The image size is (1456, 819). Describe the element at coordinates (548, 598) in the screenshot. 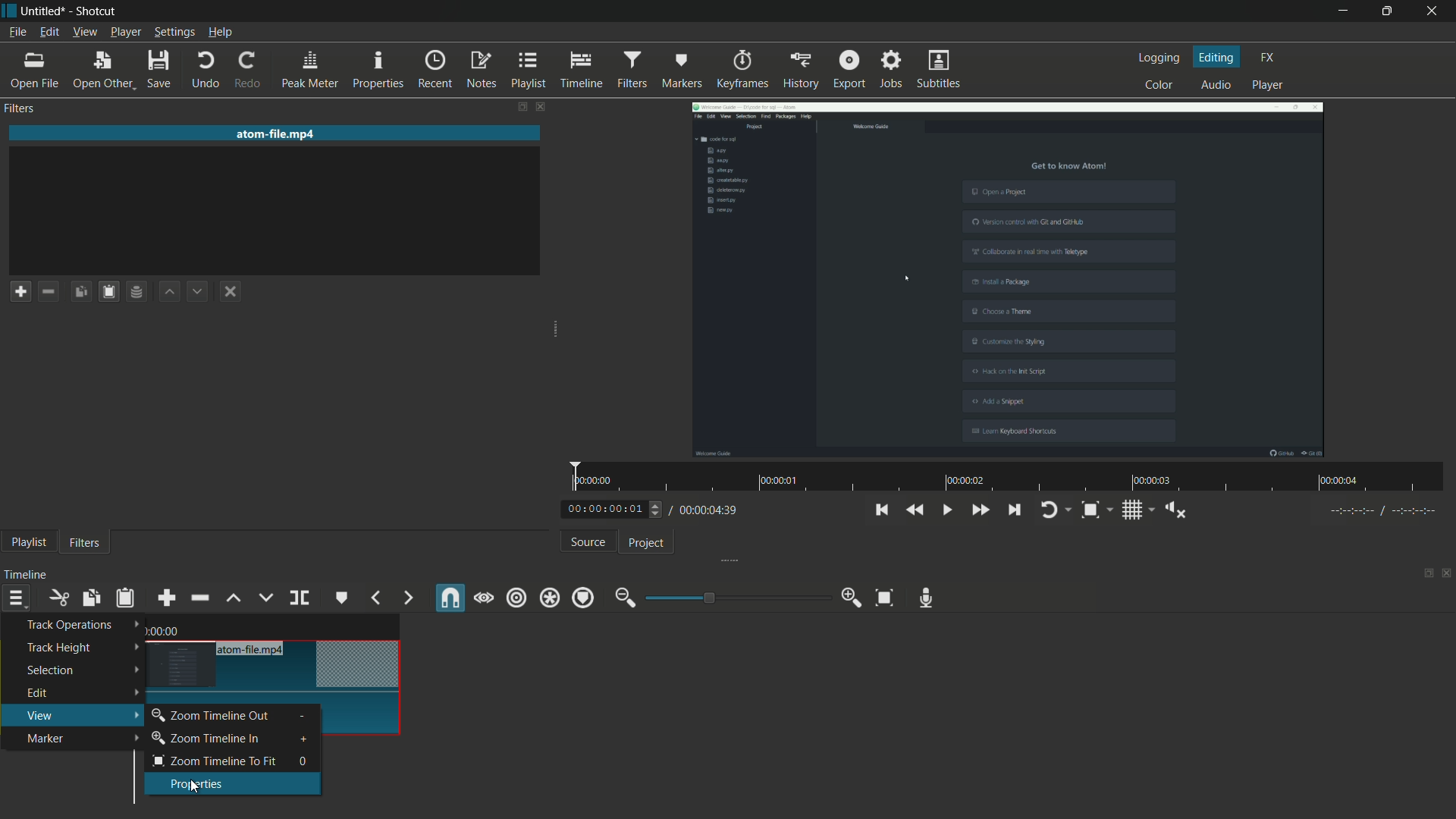

I see `ripple all tracks` at that location.